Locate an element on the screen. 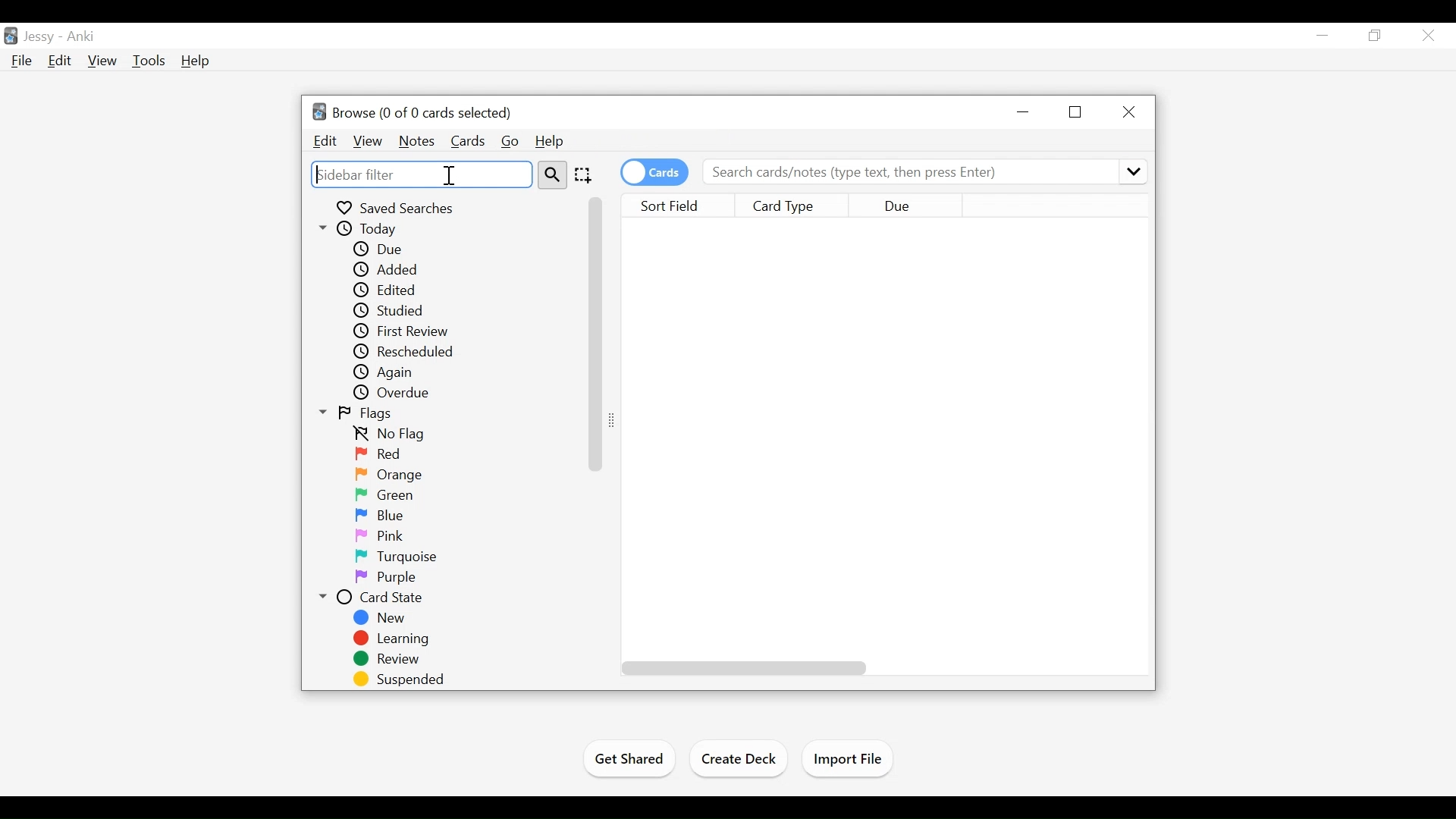 The height and width of the screenshot is (819, 1456). Go is located at coordinates (511, 141).